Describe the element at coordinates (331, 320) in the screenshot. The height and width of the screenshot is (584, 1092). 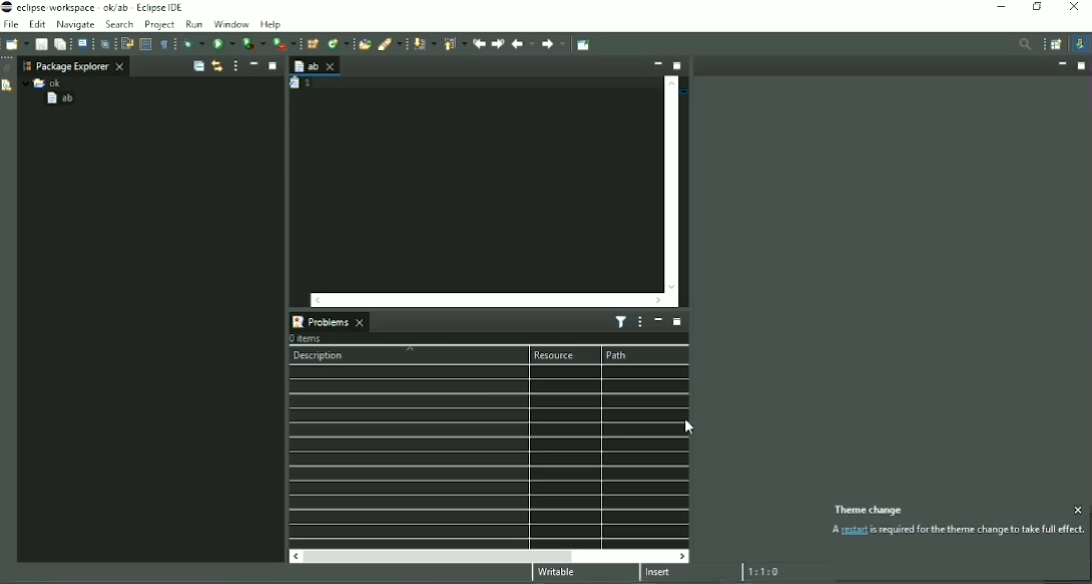
I see `Problems` at that location.